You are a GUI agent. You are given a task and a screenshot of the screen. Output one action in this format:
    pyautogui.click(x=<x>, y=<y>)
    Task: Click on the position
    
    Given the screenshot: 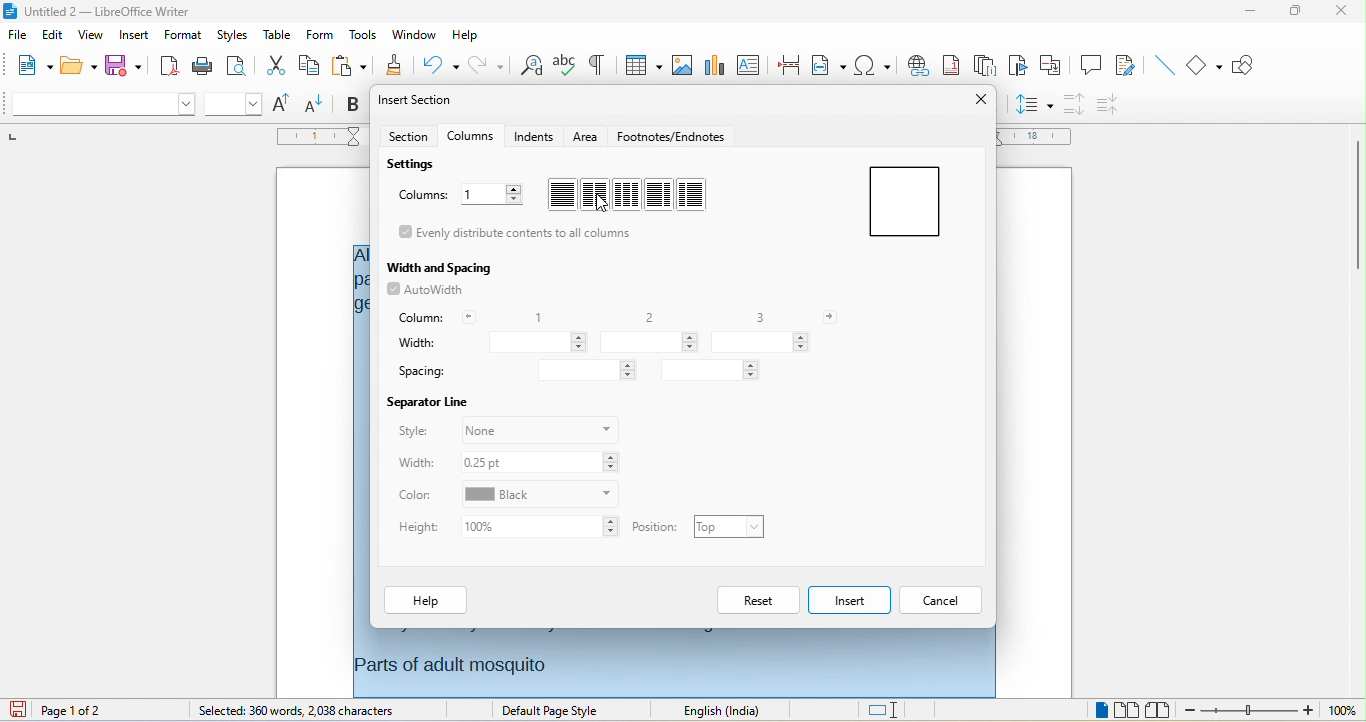 What is the action you would take?
    pyautogui.click(x=657, y=526)
    